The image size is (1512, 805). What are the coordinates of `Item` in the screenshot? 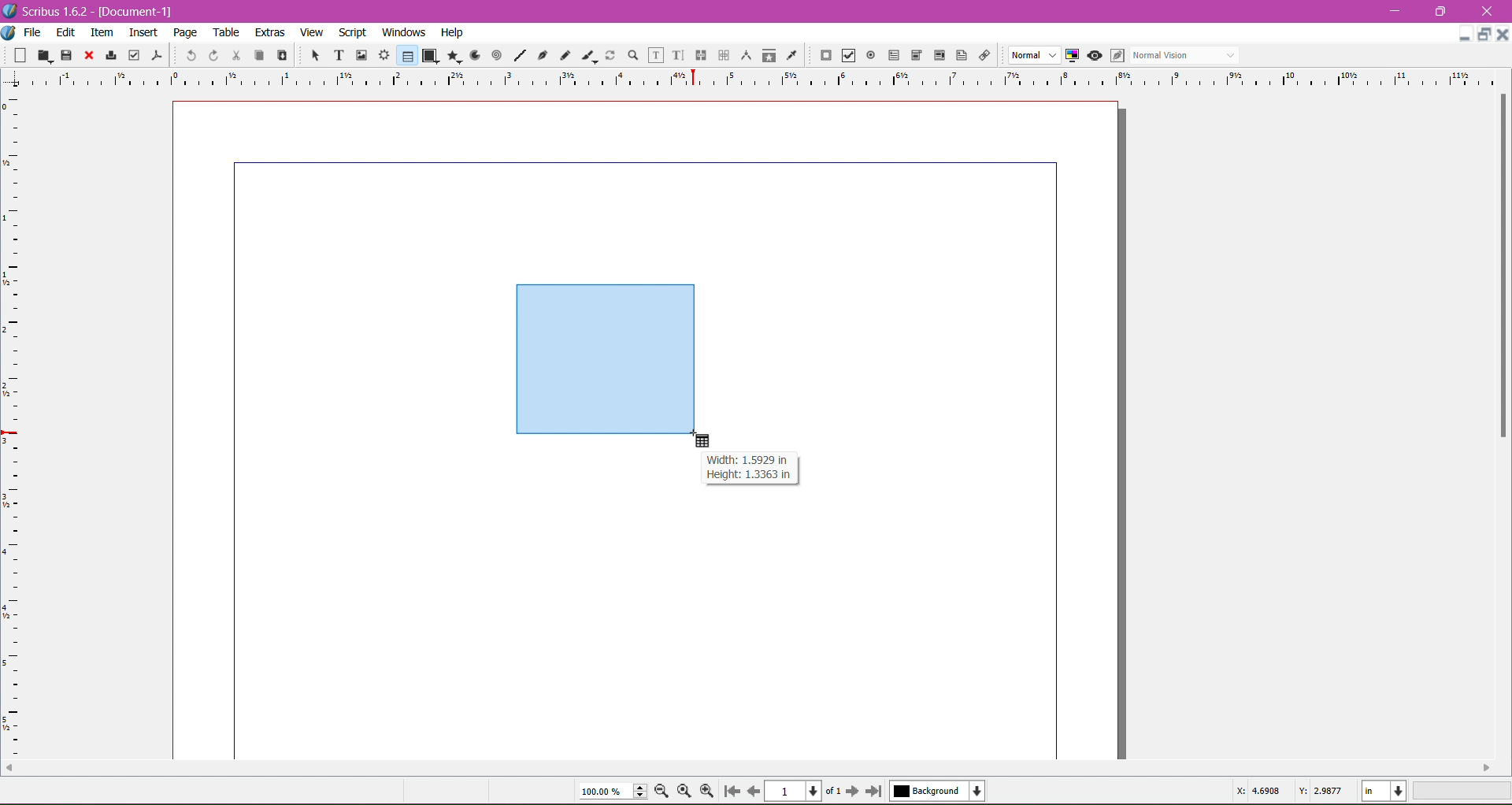 It's located at (102, 32).